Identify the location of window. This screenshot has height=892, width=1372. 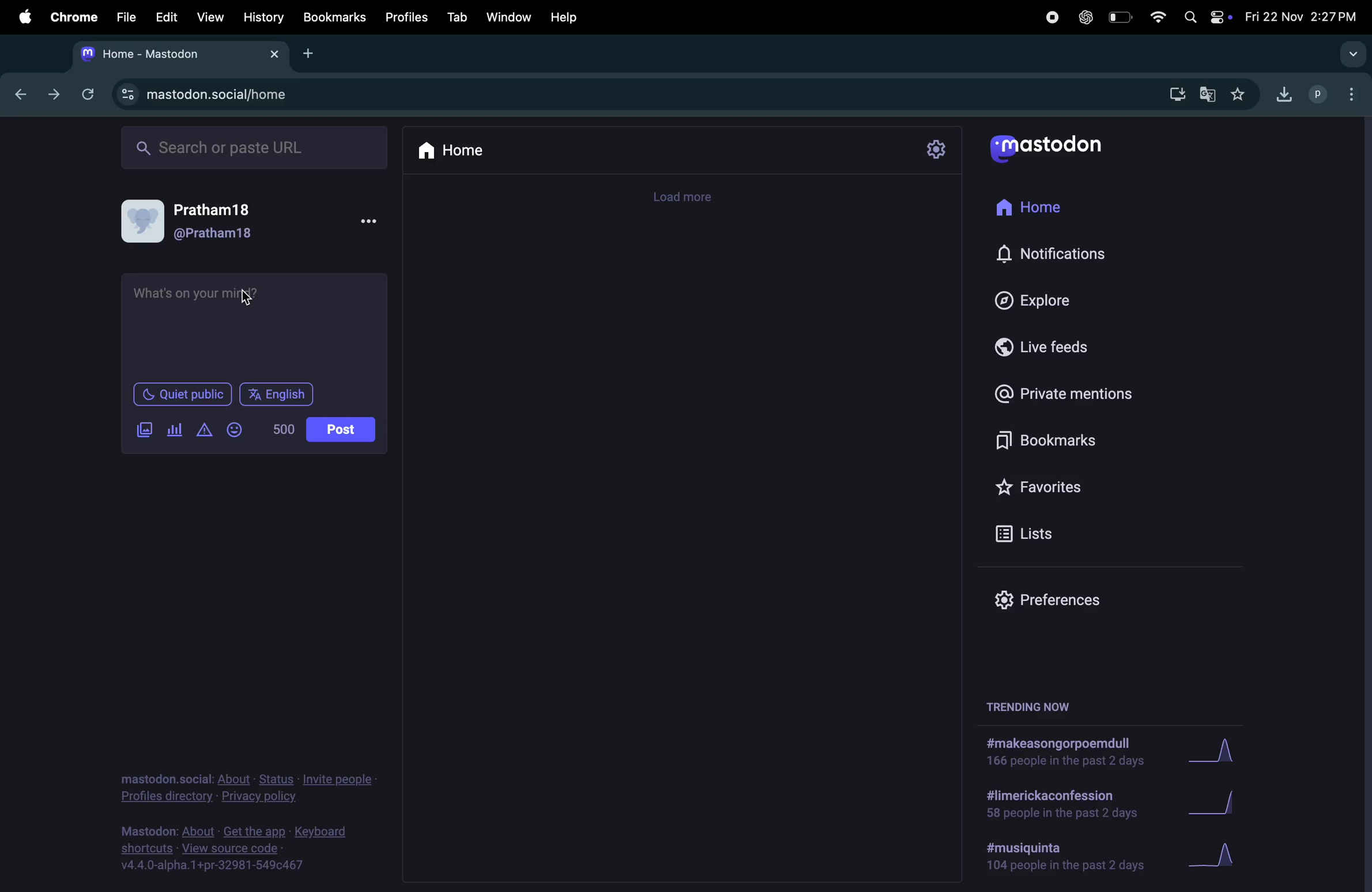
(510, 14).